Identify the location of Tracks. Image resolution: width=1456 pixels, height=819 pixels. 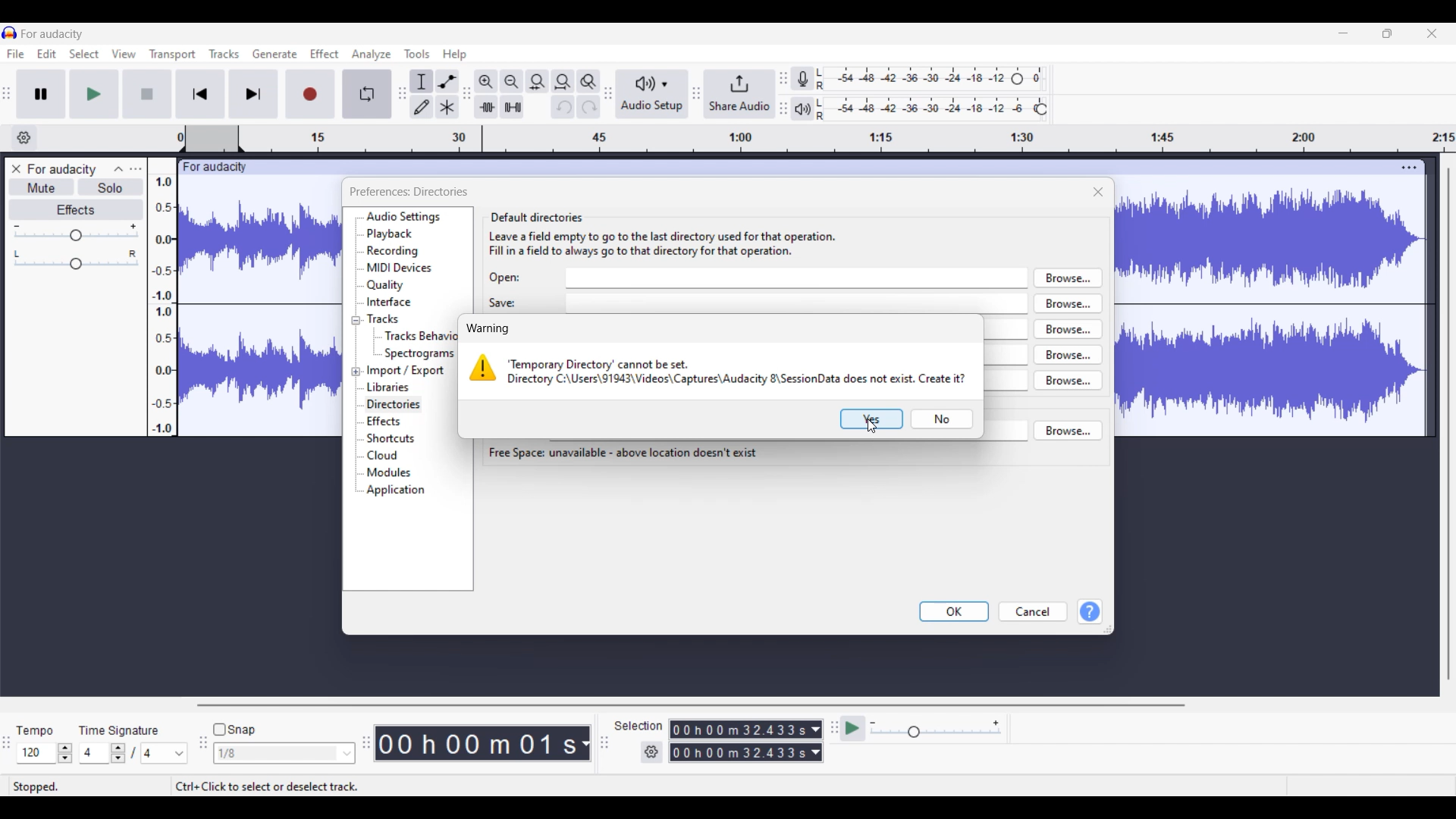
(384, 318).